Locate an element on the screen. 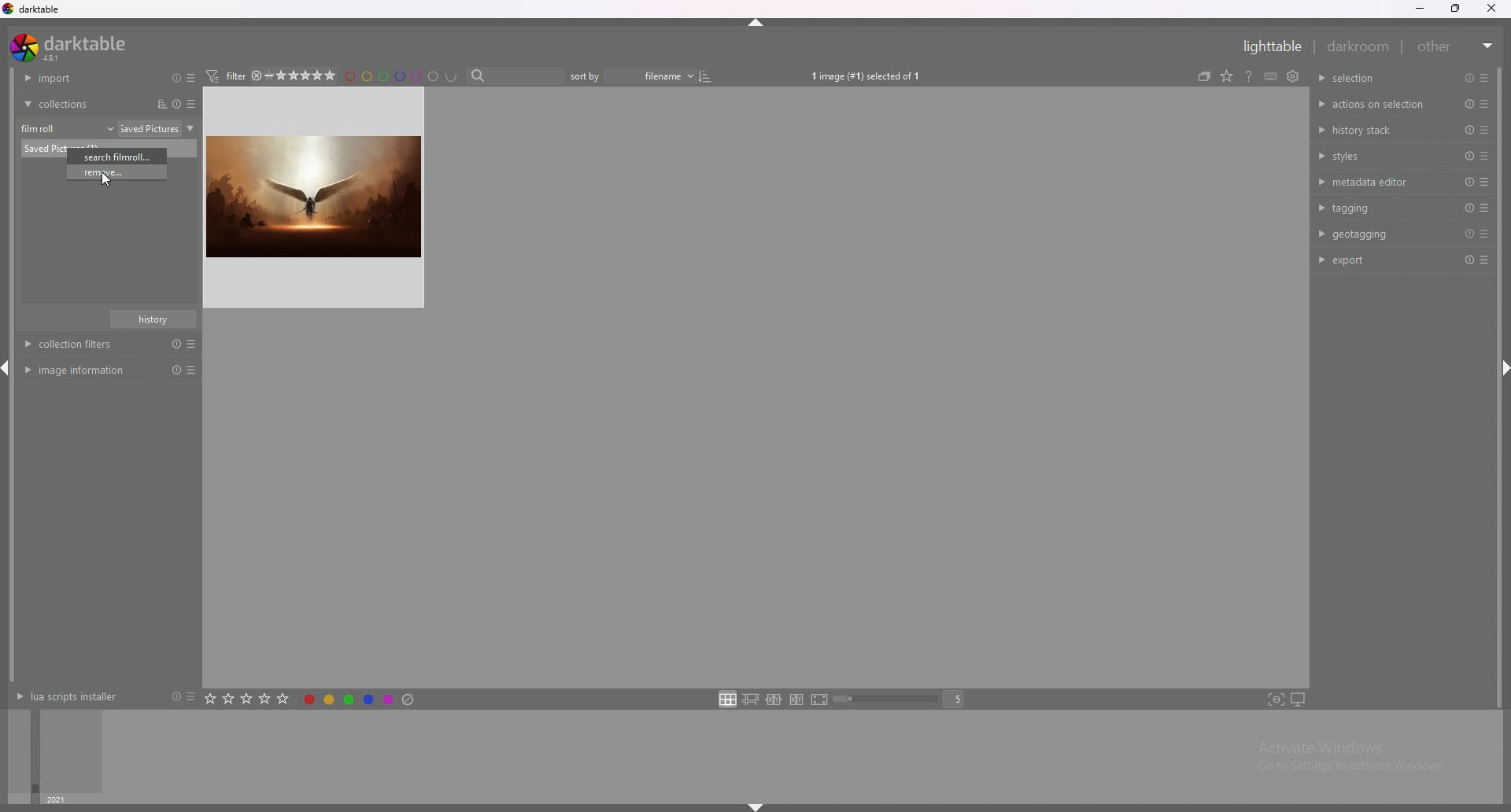  change type of overlays is located at coordinates (1246, 75).